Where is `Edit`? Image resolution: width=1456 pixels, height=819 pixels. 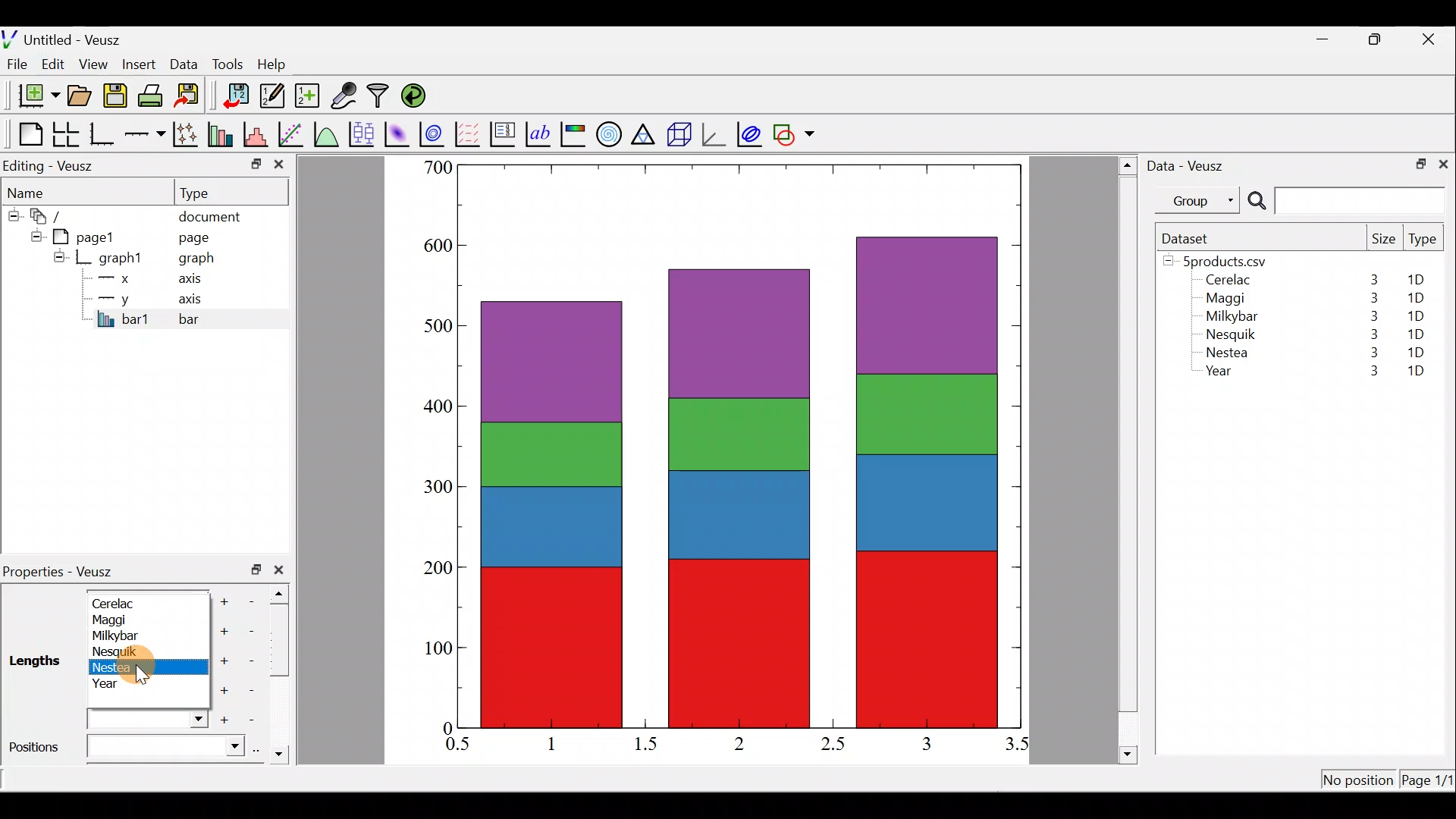
Edit is located at coordinates (53, 63).